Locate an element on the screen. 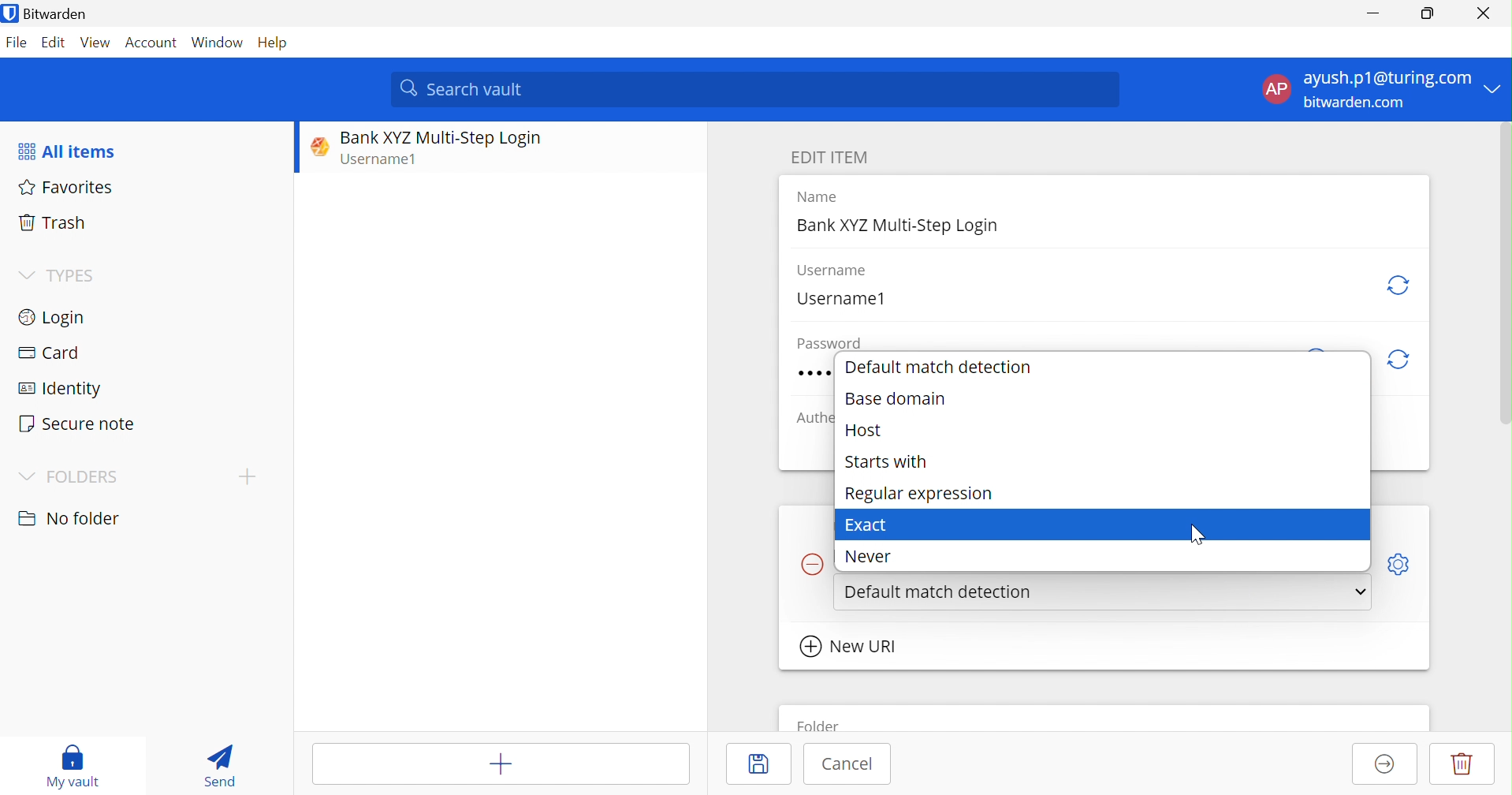  New URI is located at coordinates (850, 646).